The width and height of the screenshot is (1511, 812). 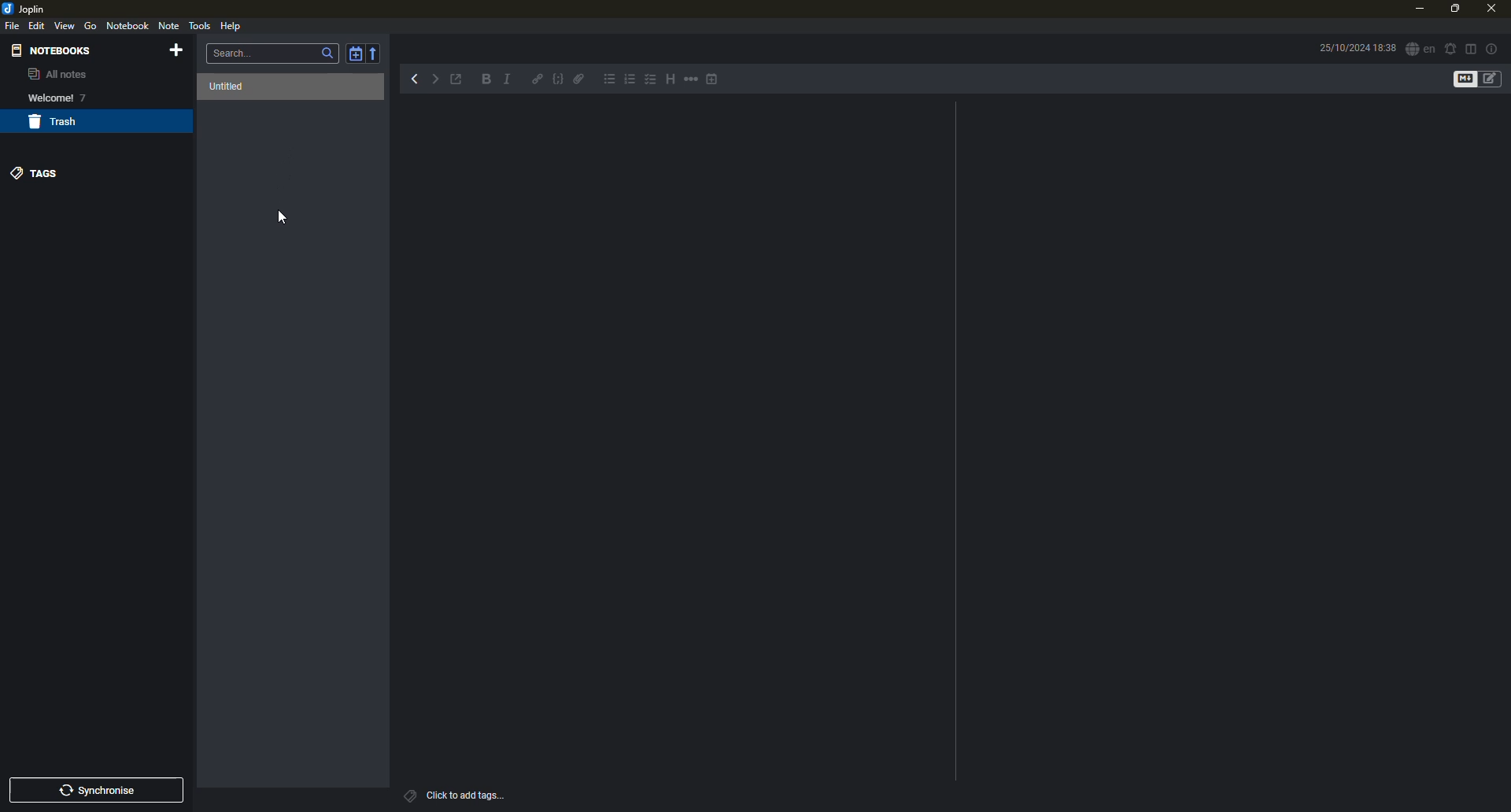 What do you see at coordinates (283, 222) in the screenshot?
I see `cursor` at bounding box center [283, 222].